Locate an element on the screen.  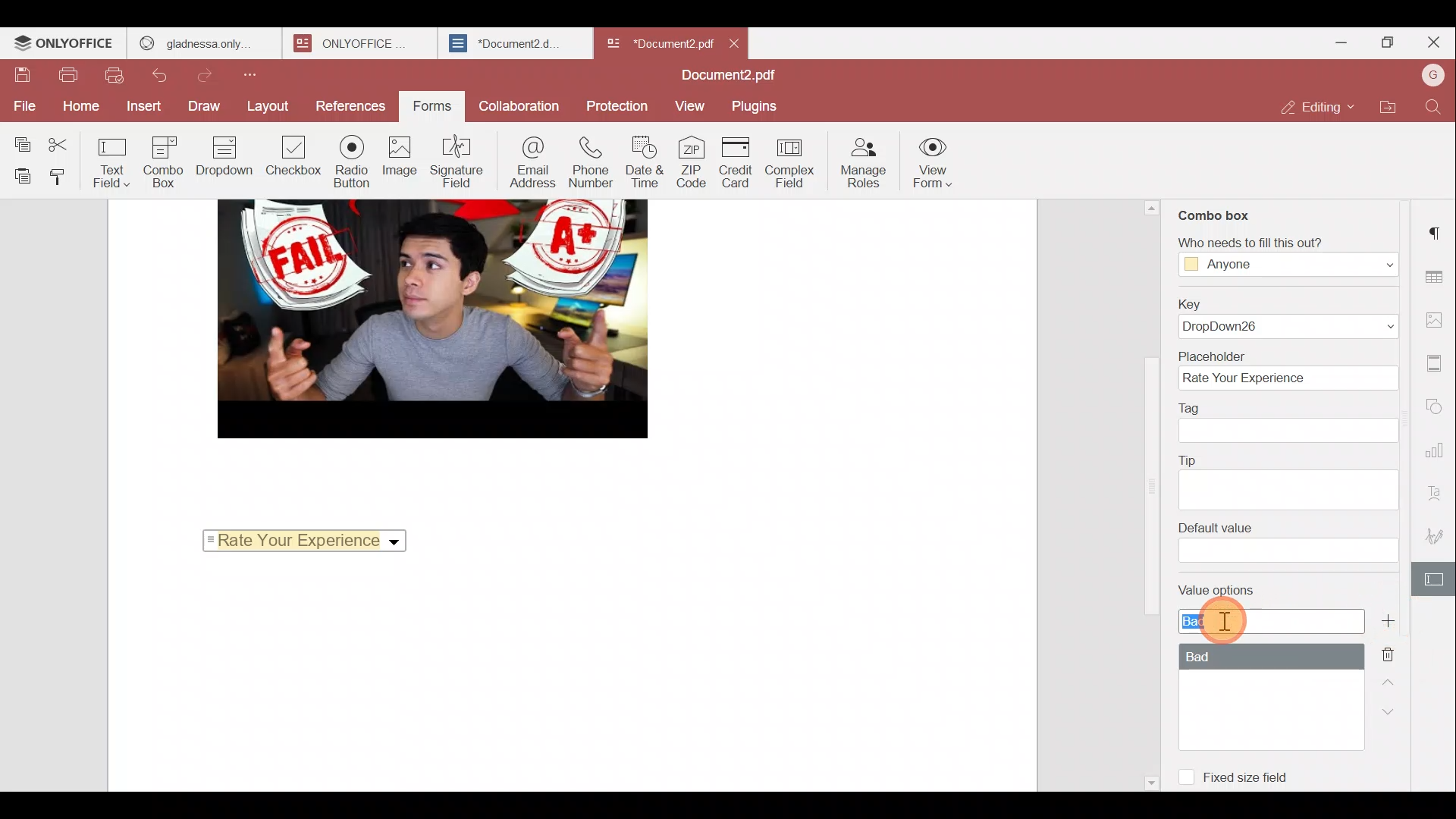
Key is located at coordinates (1288, 316).